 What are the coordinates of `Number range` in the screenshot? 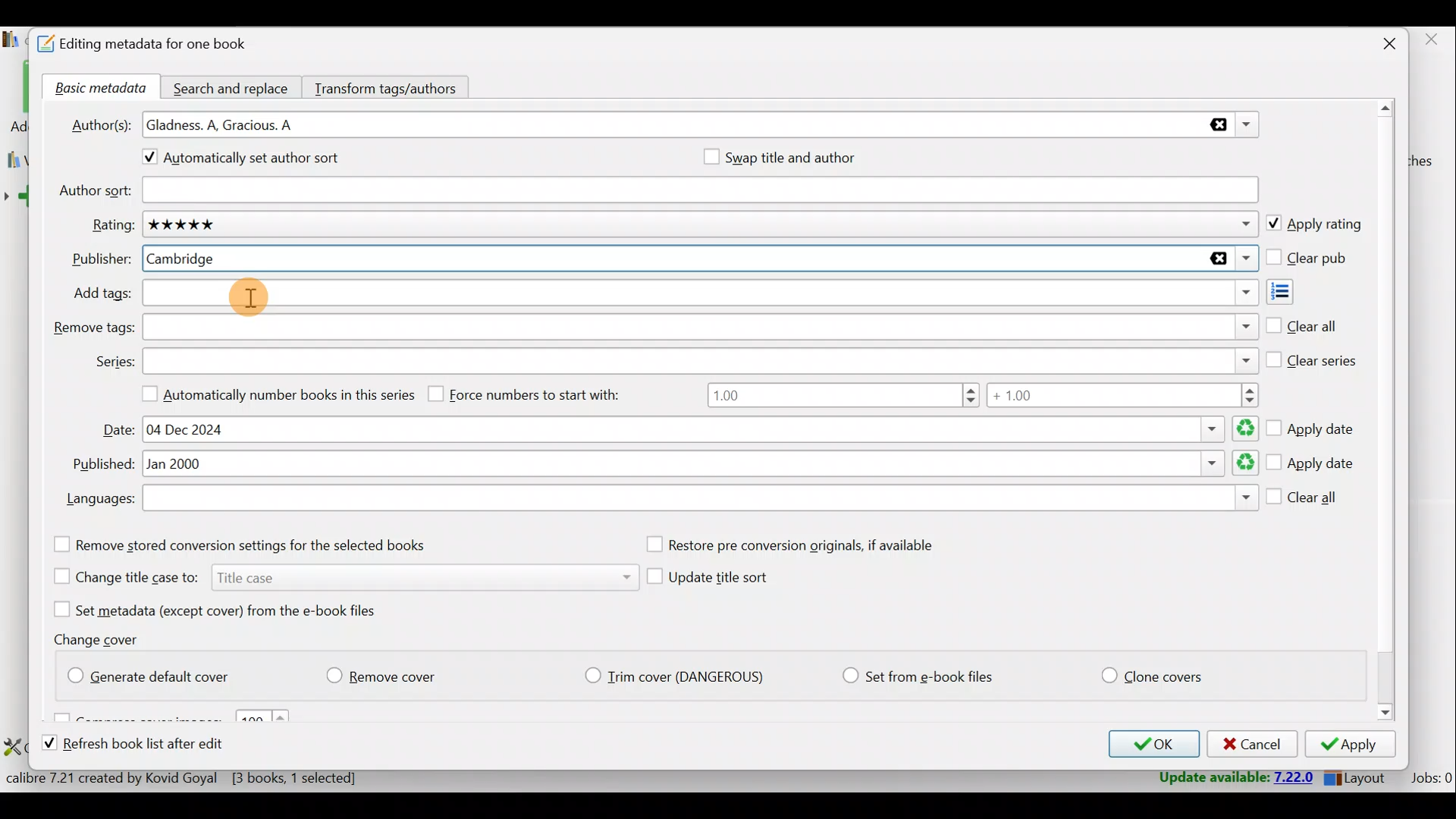 It's located at (982, 397).